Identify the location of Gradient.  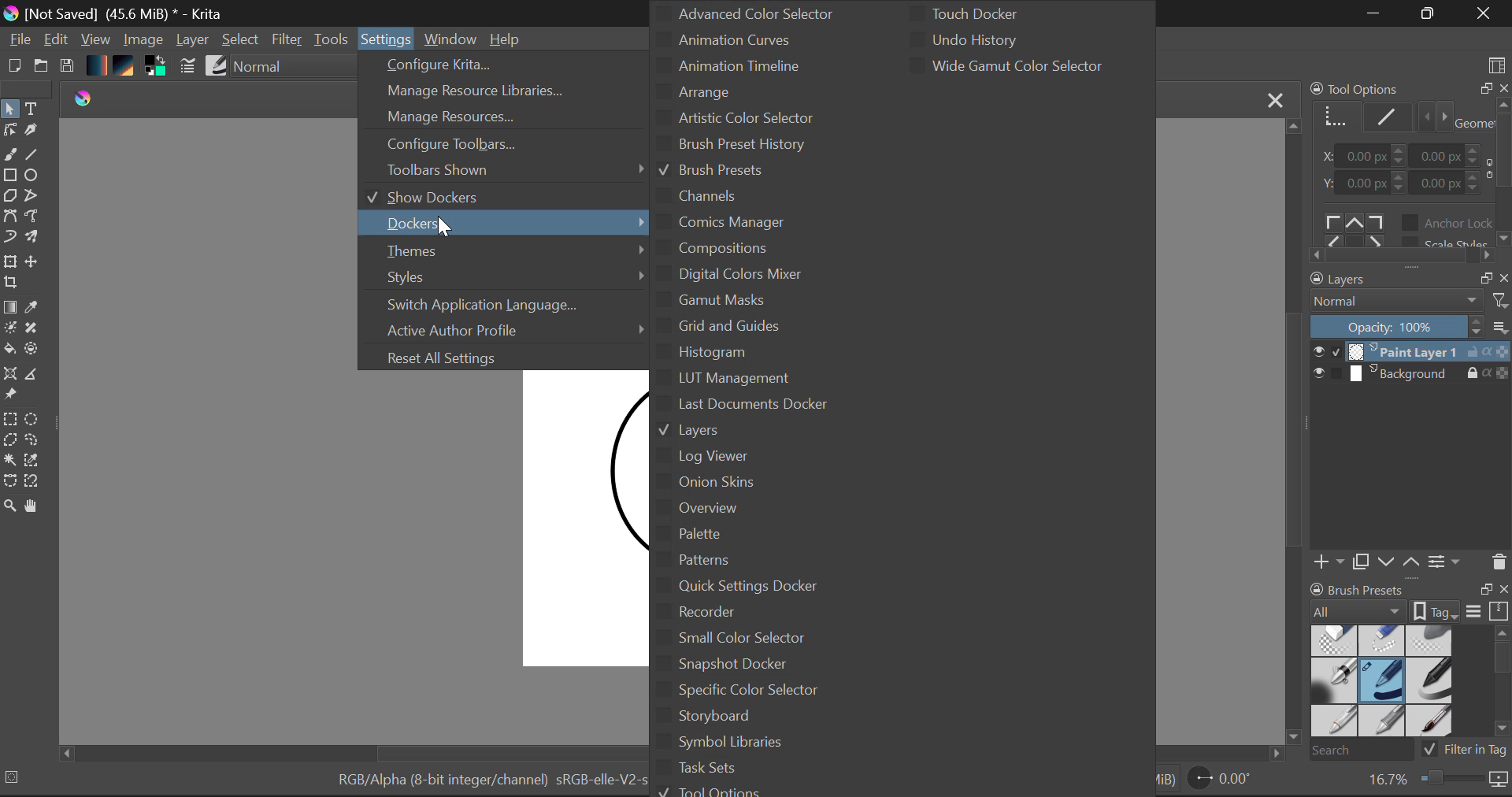
(98, 65).